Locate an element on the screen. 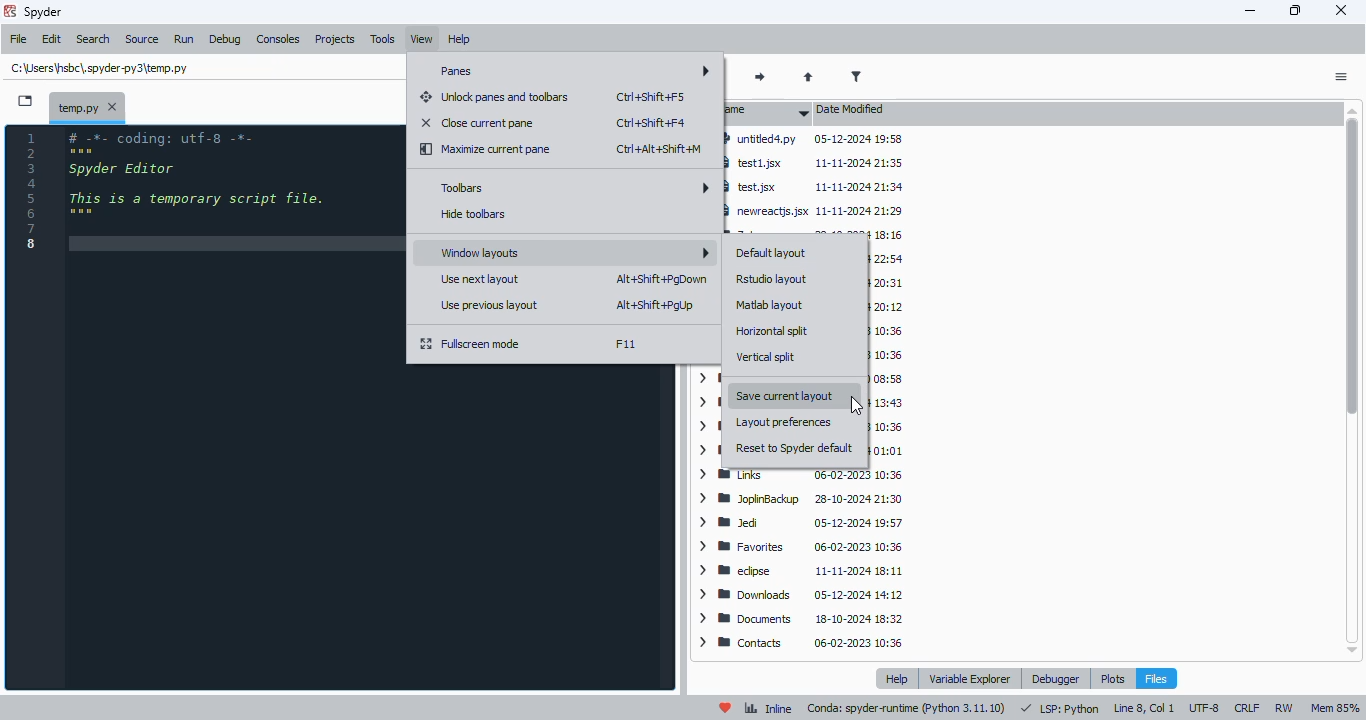 This screenshot has height=720, width=1366. inline is located at coordinates (768, 709).